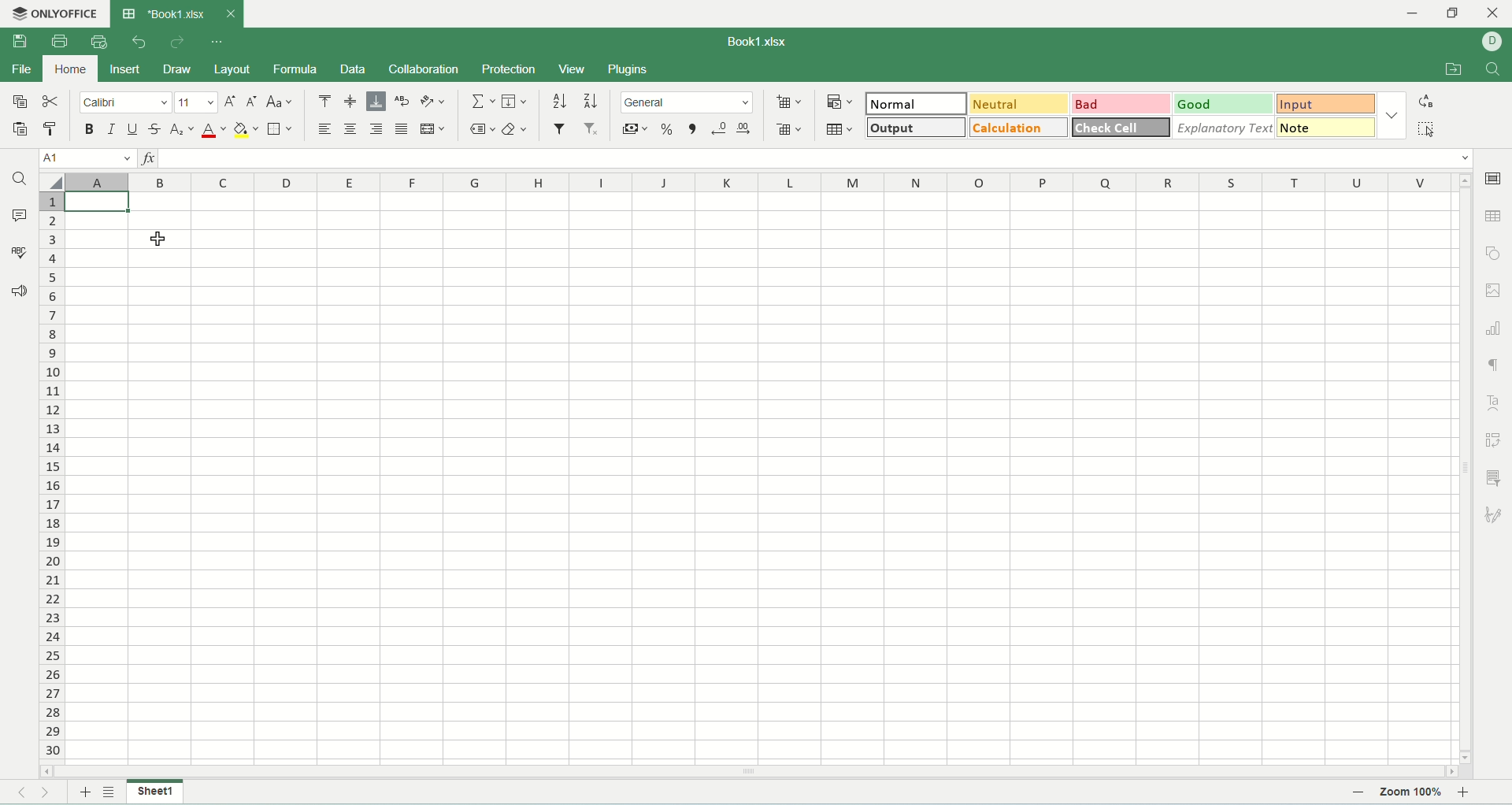 This screenshot has width=1512, height=805. I want to click on next, so click(53, 793).